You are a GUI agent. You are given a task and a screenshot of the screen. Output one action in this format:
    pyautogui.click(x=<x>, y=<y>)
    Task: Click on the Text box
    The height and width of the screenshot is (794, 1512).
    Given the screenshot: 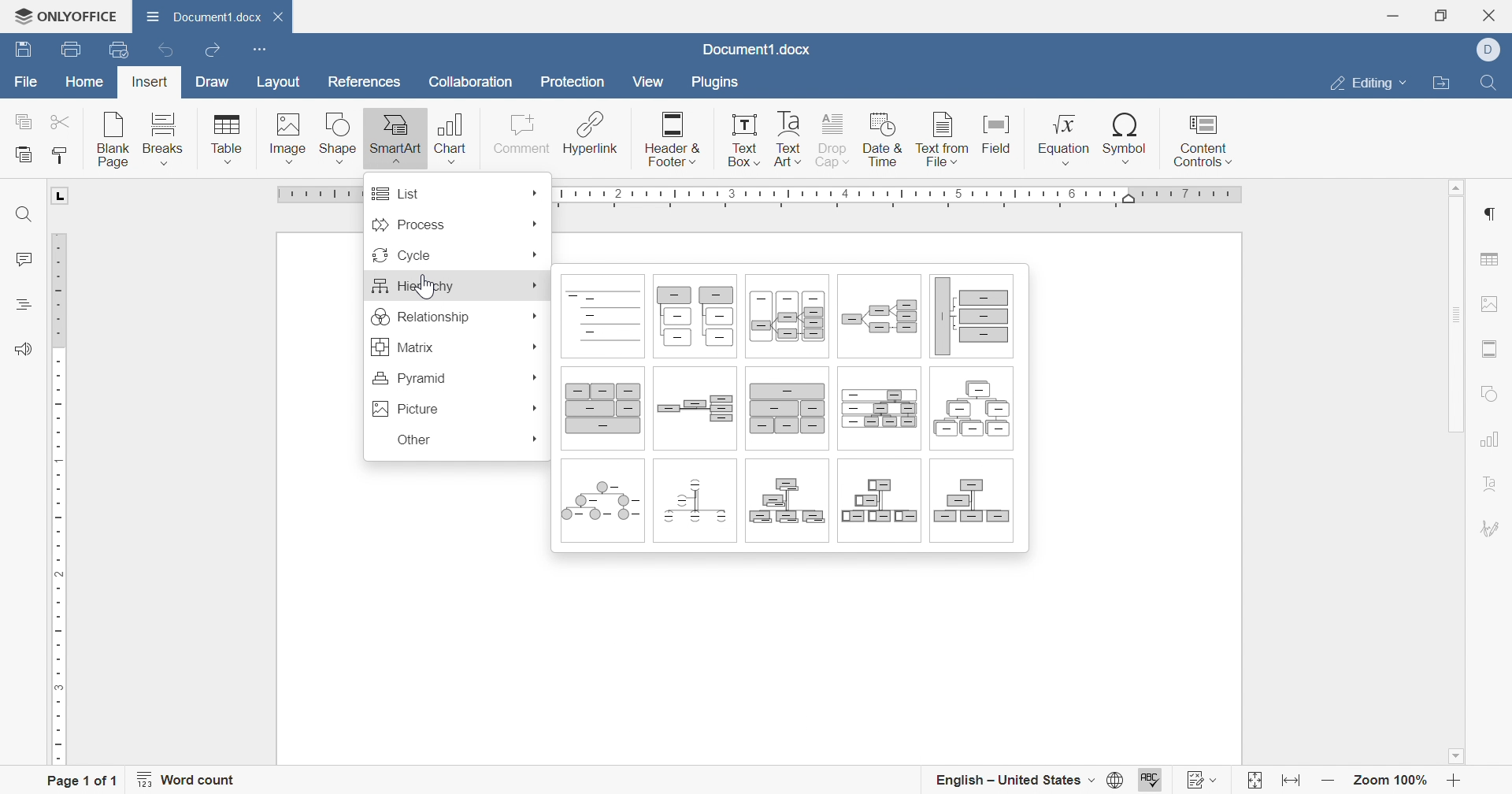 What is the action you would take?
    pyautogui.click(x=747, y=143)
    